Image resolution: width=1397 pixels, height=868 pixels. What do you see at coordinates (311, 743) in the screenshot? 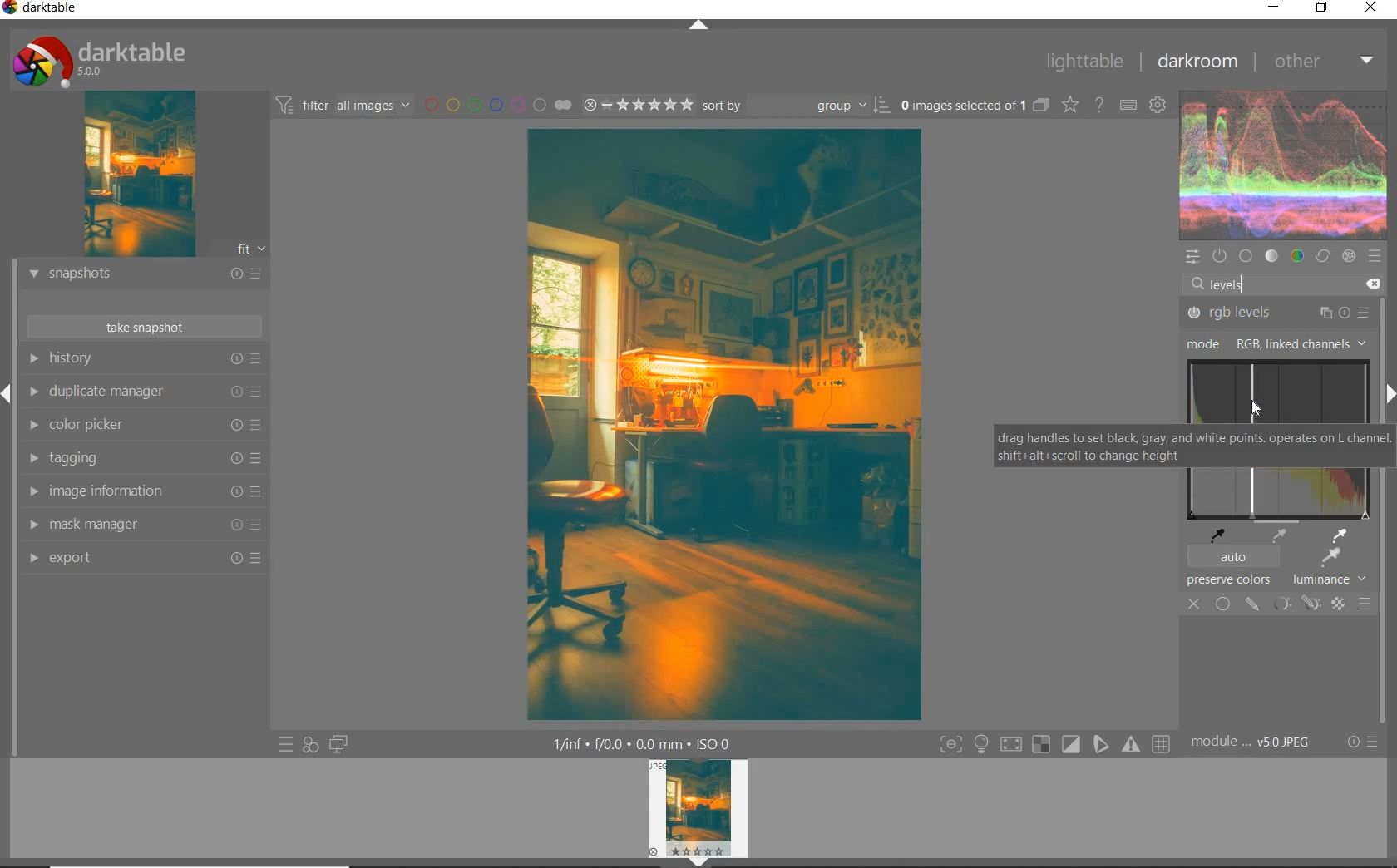
I see `quick access for applying any of your styles` at bounding box center [311, 743].